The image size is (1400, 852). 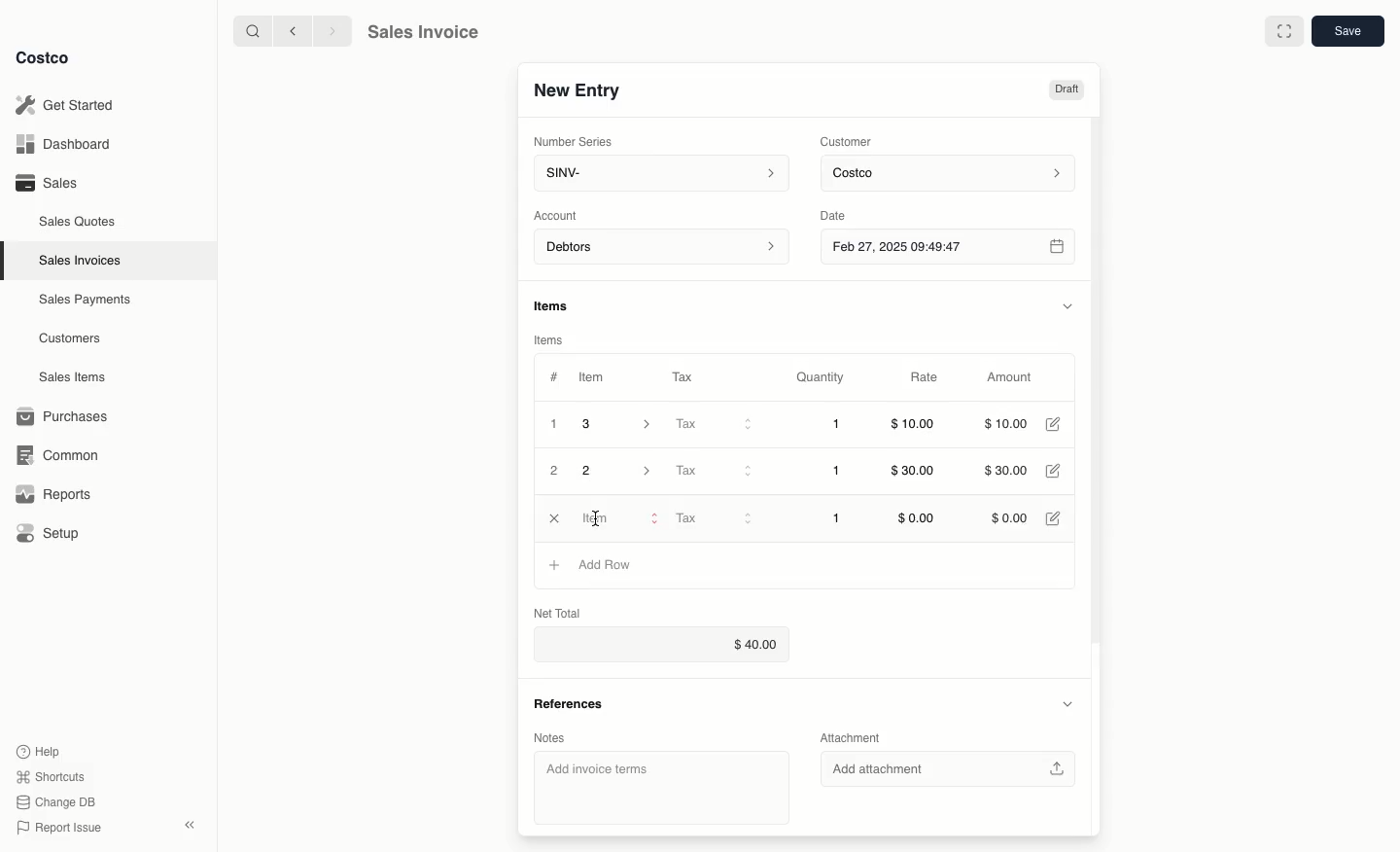 I want to click on $0.00, so click(x=915, y=518).